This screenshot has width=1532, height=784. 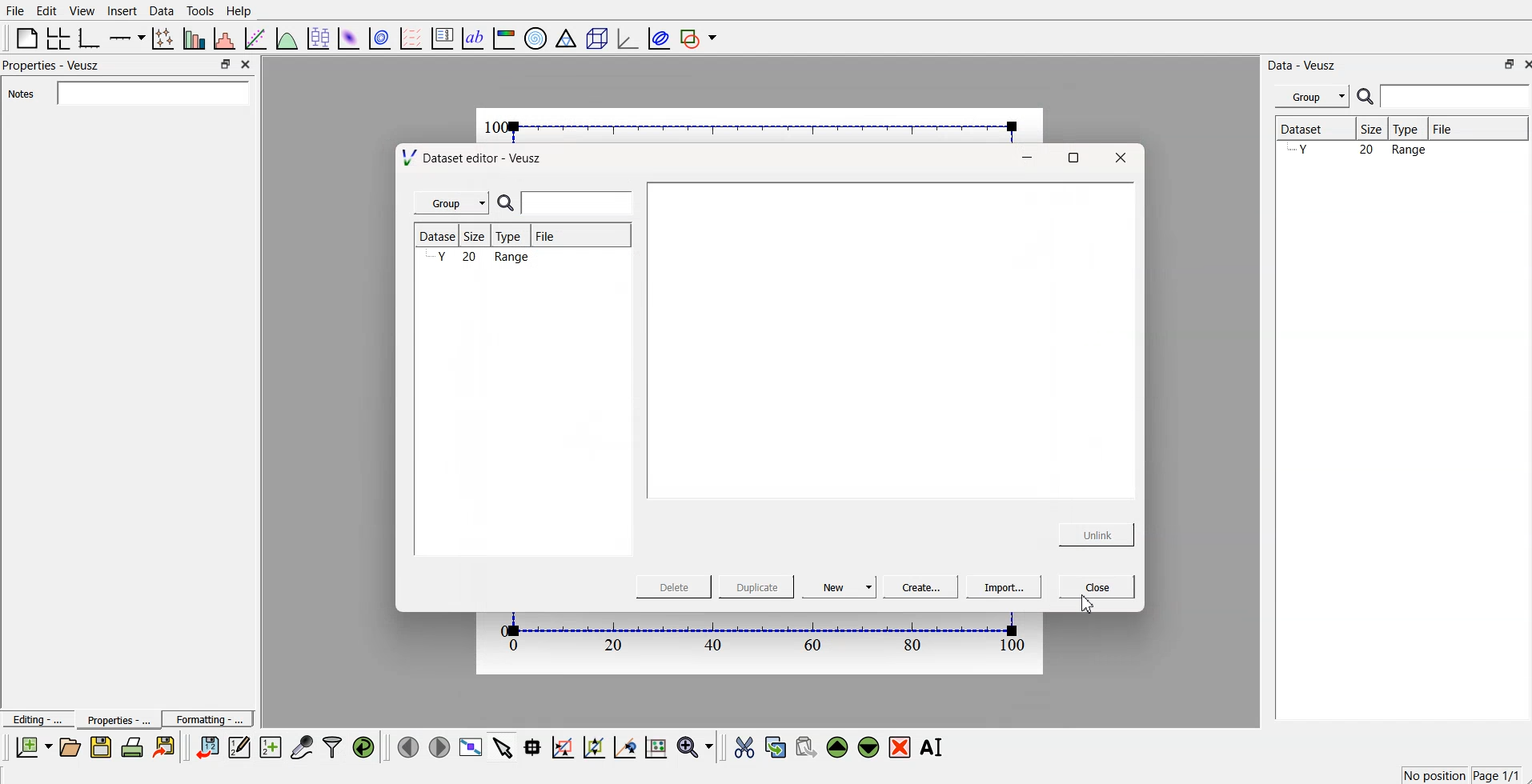 I want to click on Print, so click(x=133, y=747).